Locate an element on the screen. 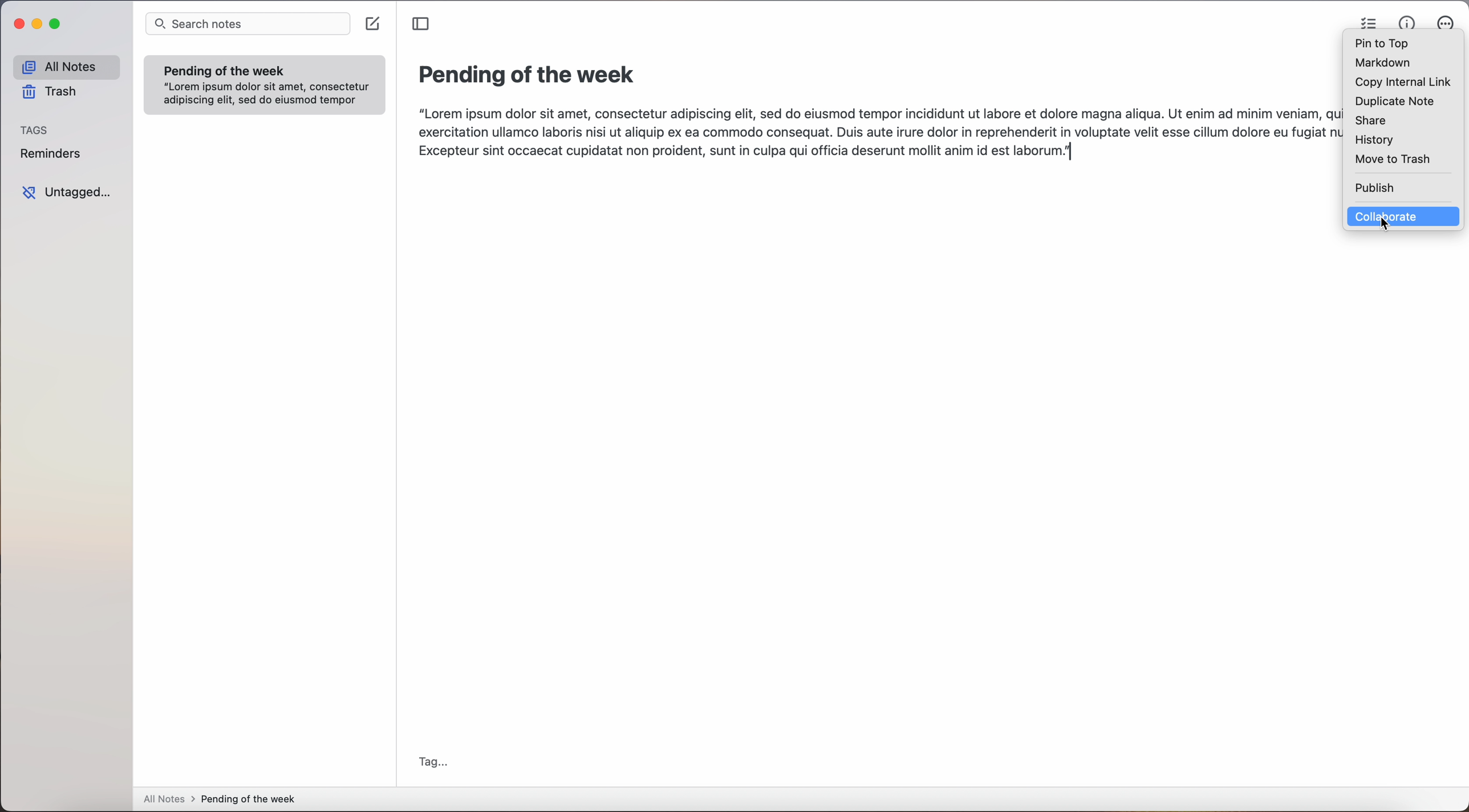 The width and height of the screenshot is (1469, 812). title: pending of the week is located at coordinates (530, 76).